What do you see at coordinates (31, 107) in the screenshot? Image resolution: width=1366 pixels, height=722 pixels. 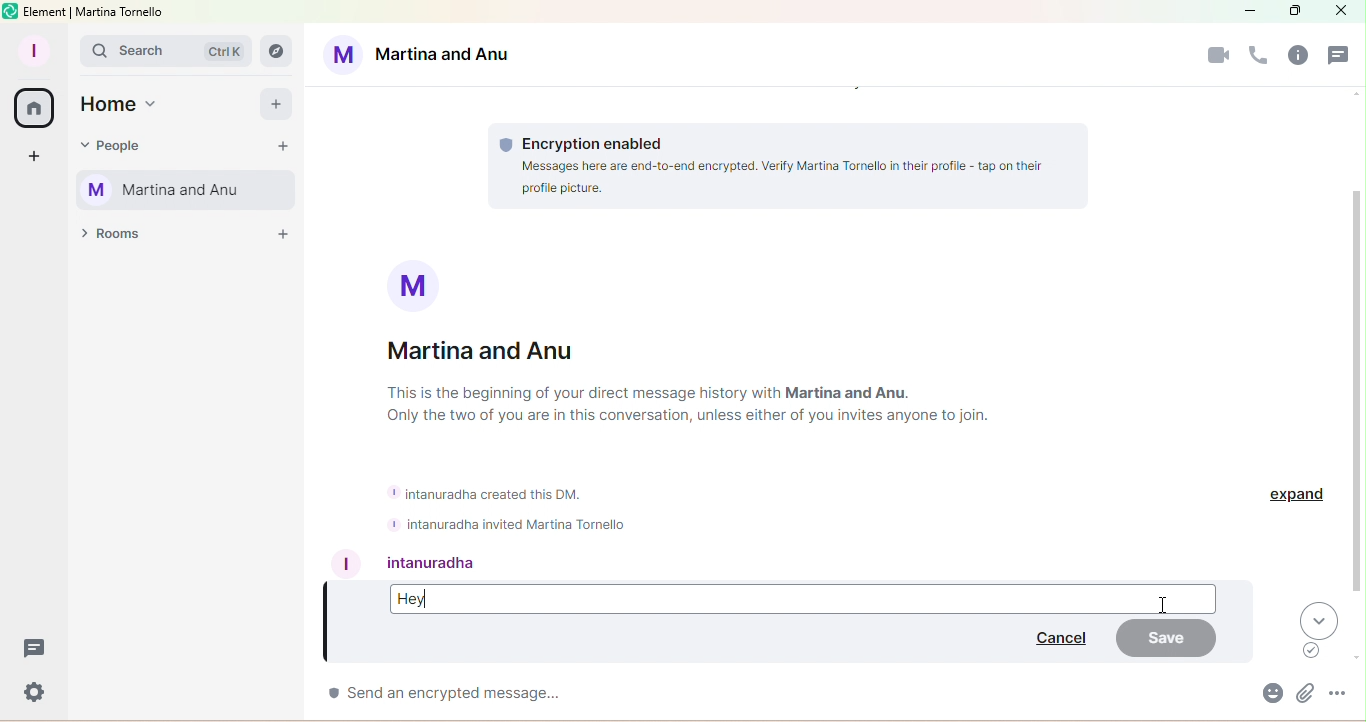 I see `Home` at bounding box center [31, 107].